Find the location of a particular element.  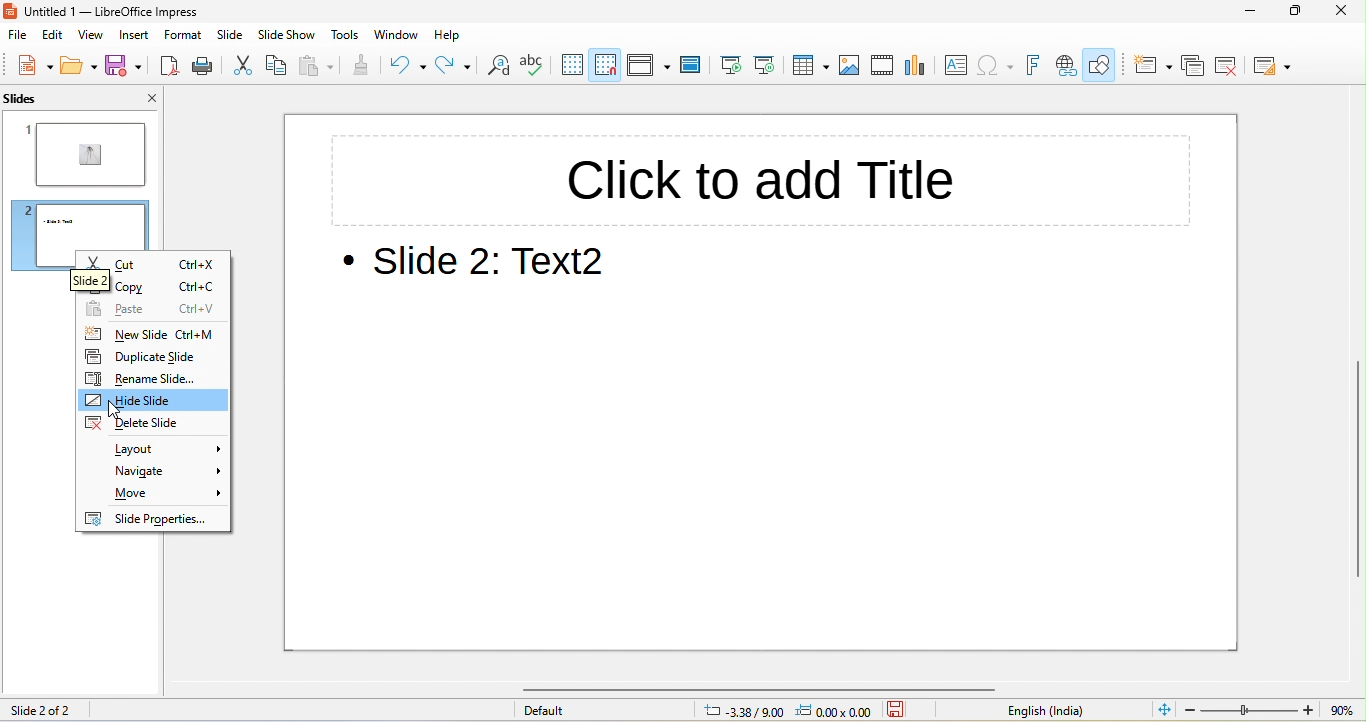

vertical scroll bar is located at coordinates (1355, 470).